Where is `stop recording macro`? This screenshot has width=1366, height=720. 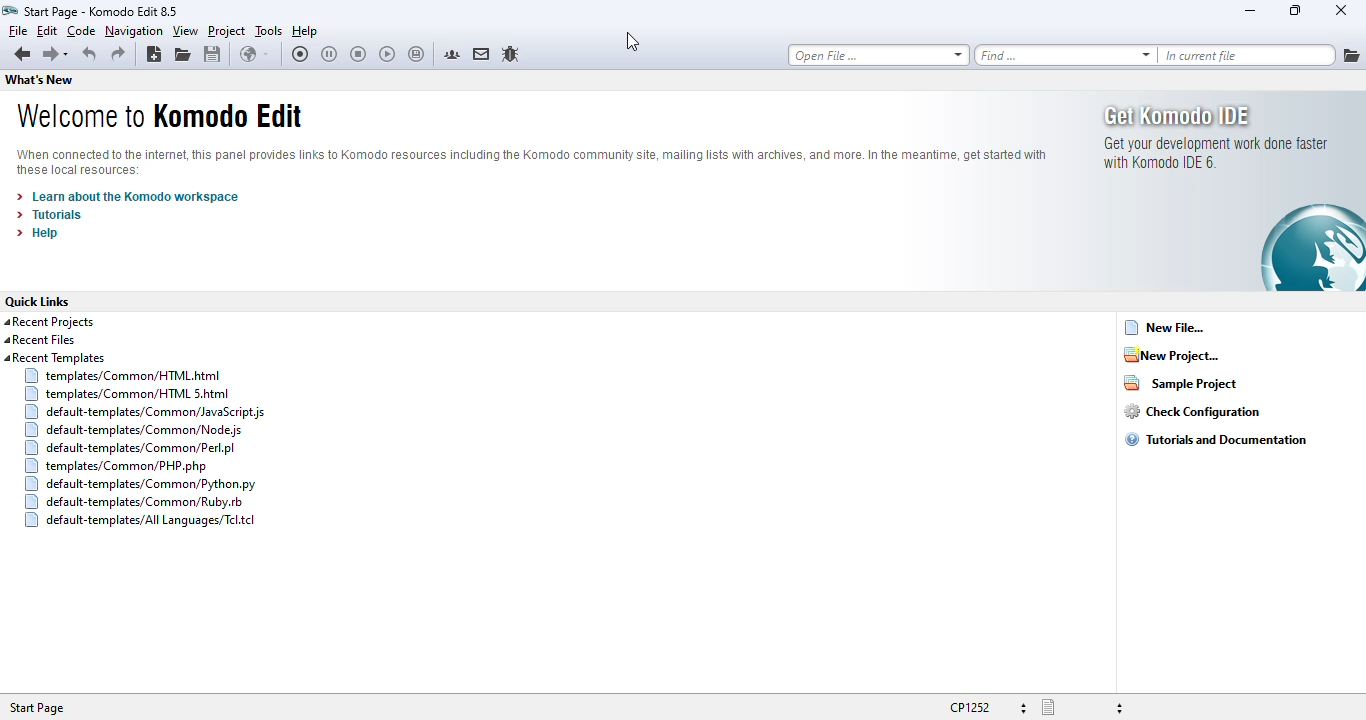 stop recording macro is located at coordinates (358, 55).